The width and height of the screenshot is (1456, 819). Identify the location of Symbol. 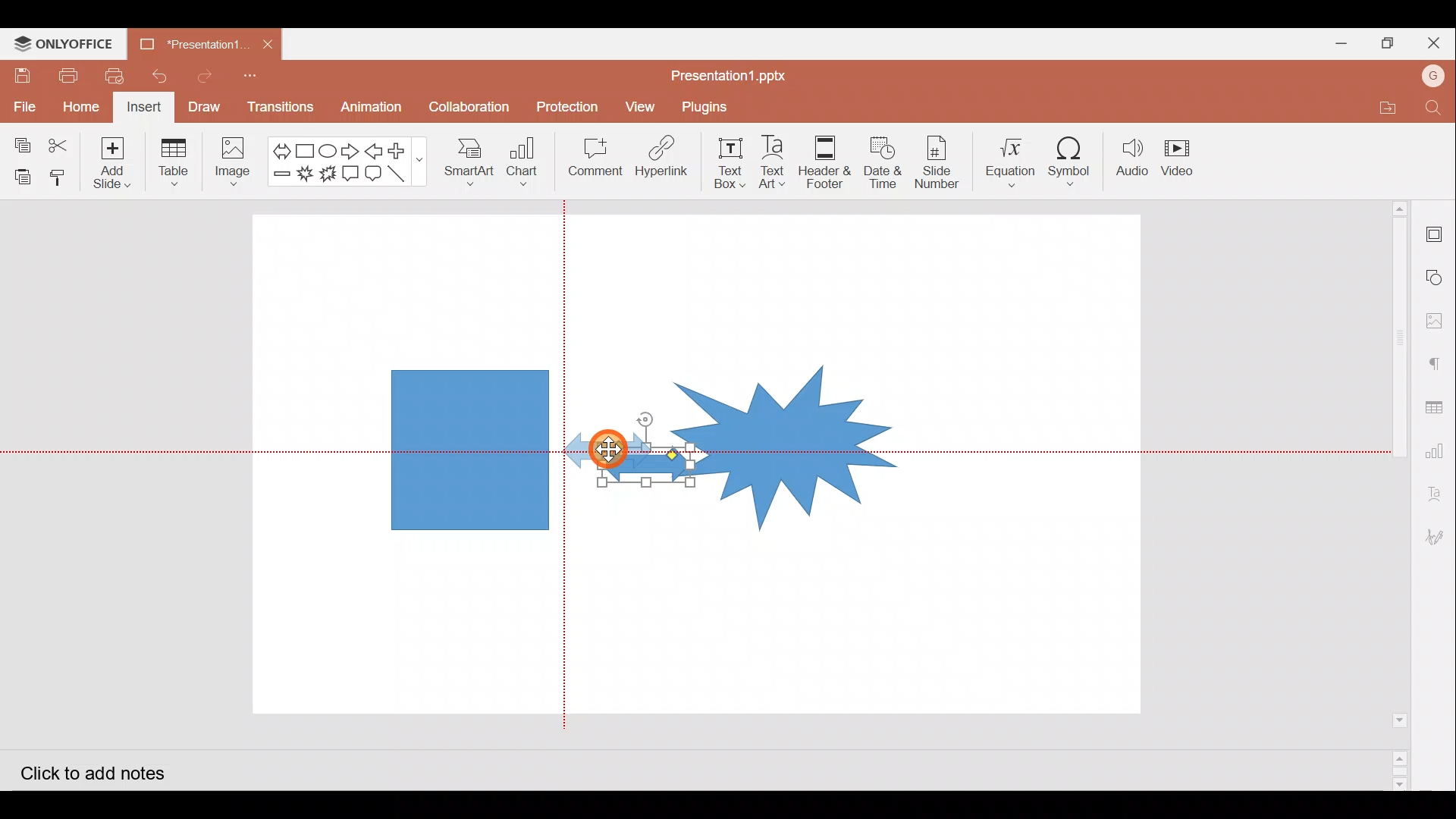
(1075, 161).